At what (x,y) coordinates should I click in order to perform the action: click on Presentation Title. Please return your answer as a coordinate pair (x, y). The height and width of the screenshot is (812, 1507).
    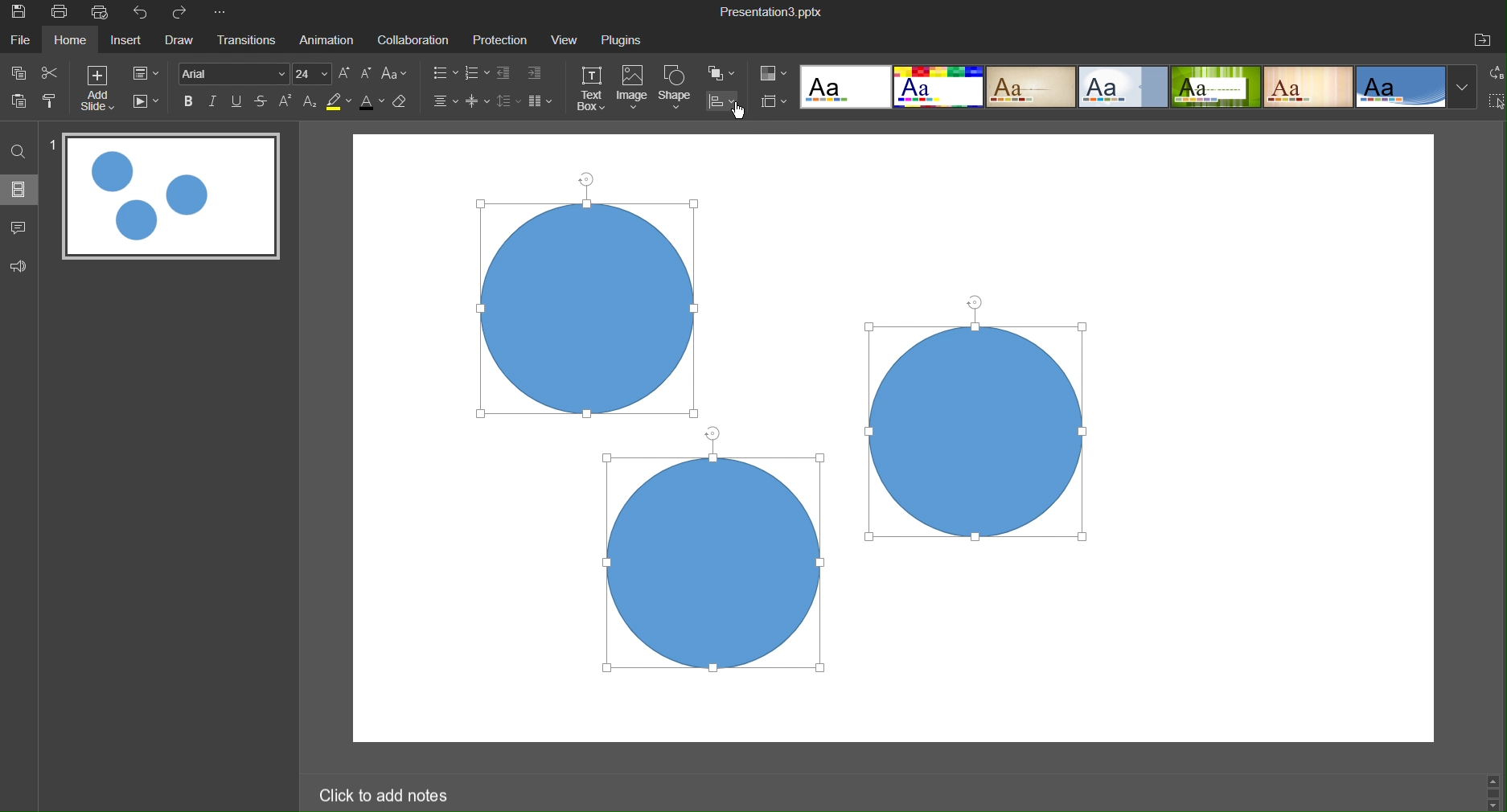
    Looking at the image, I should click on (771, 12).